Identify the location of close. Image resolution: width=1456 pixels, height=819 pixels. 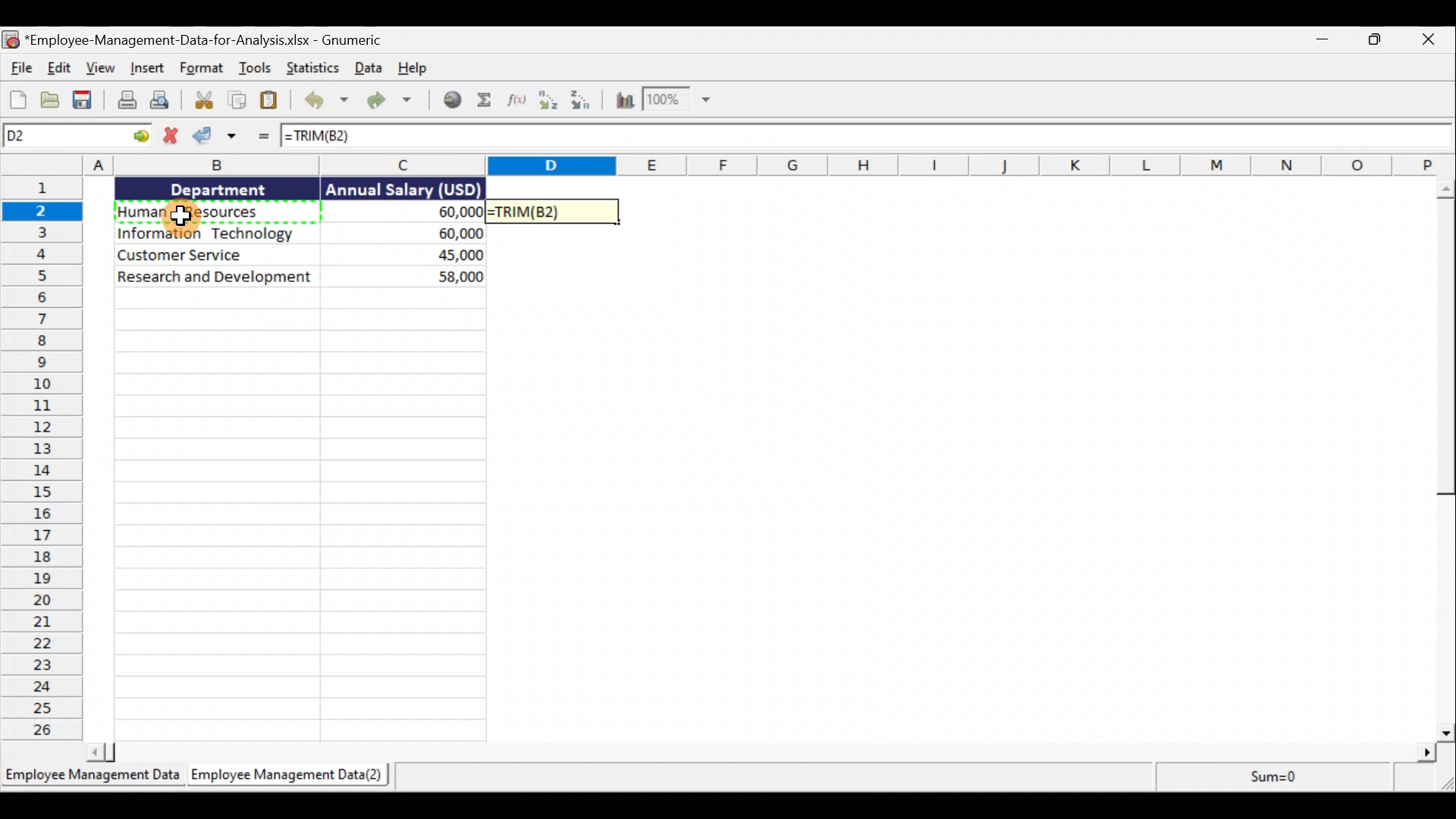
(1430, 45).